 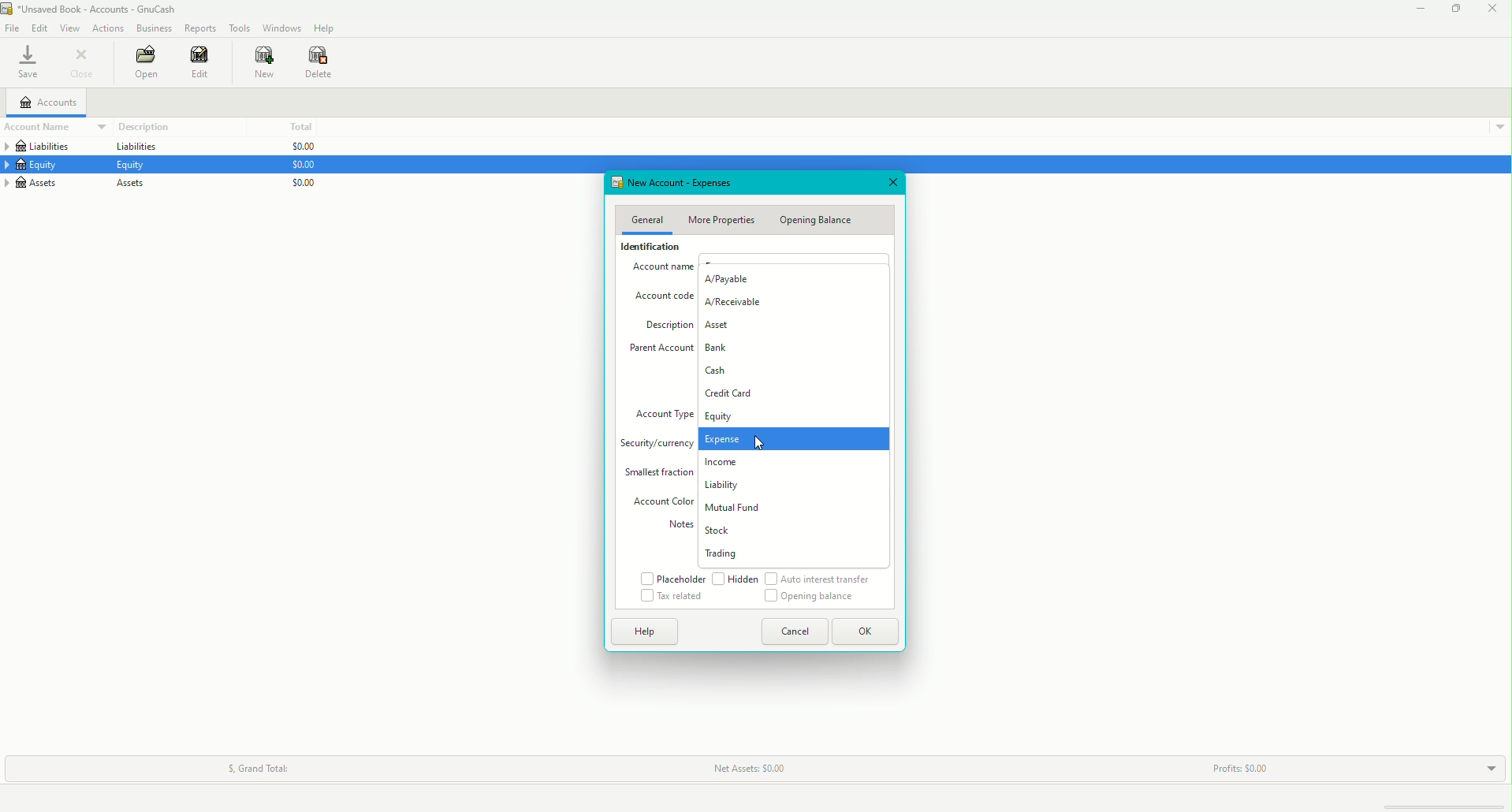 What do you see at coordinates (665, 324) in the screenshot?
I see `Description` at bounding box center [665, 324].